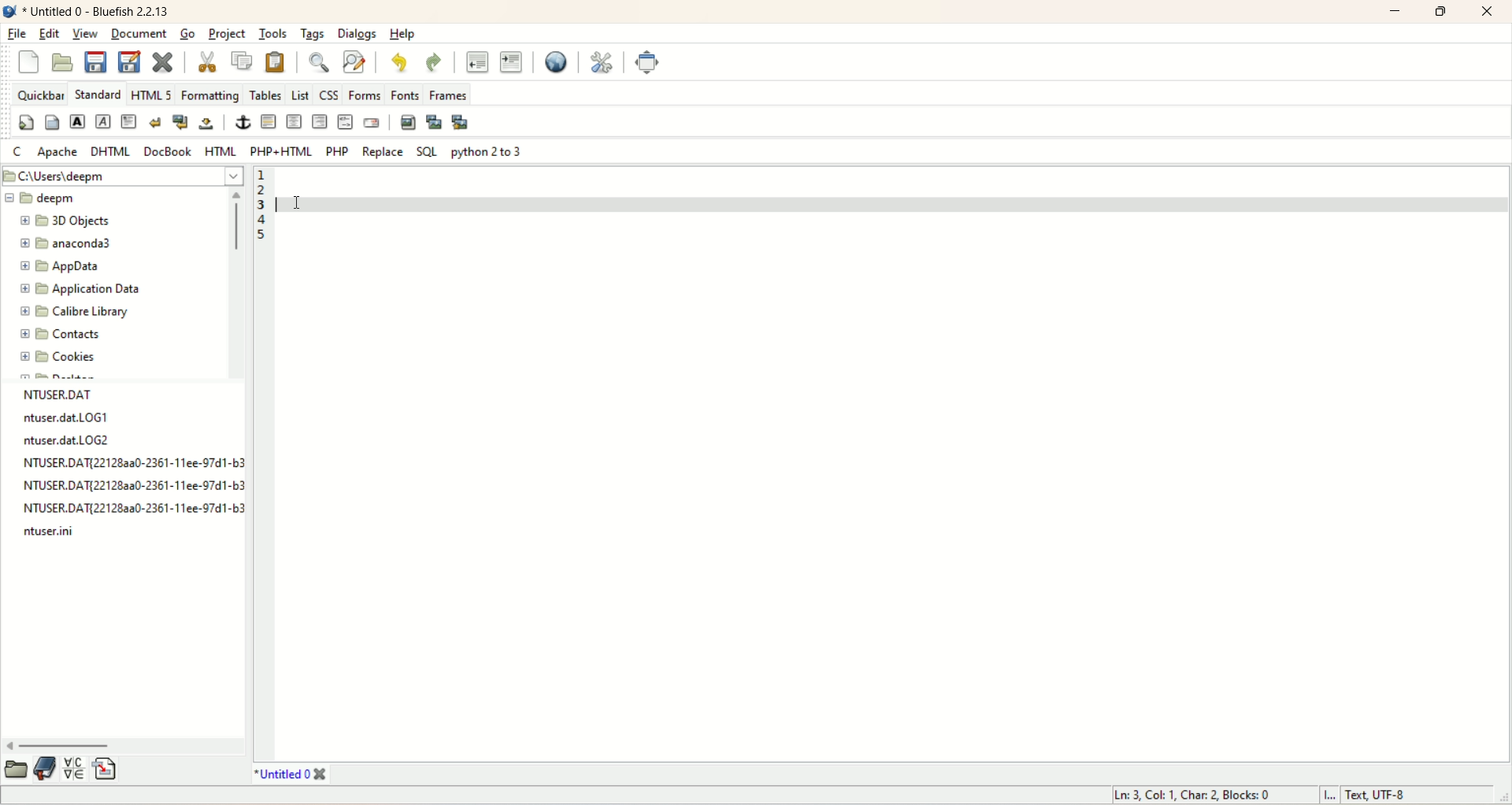 The image size is (1512, 805). I want to click on file name, so click(131, 465).